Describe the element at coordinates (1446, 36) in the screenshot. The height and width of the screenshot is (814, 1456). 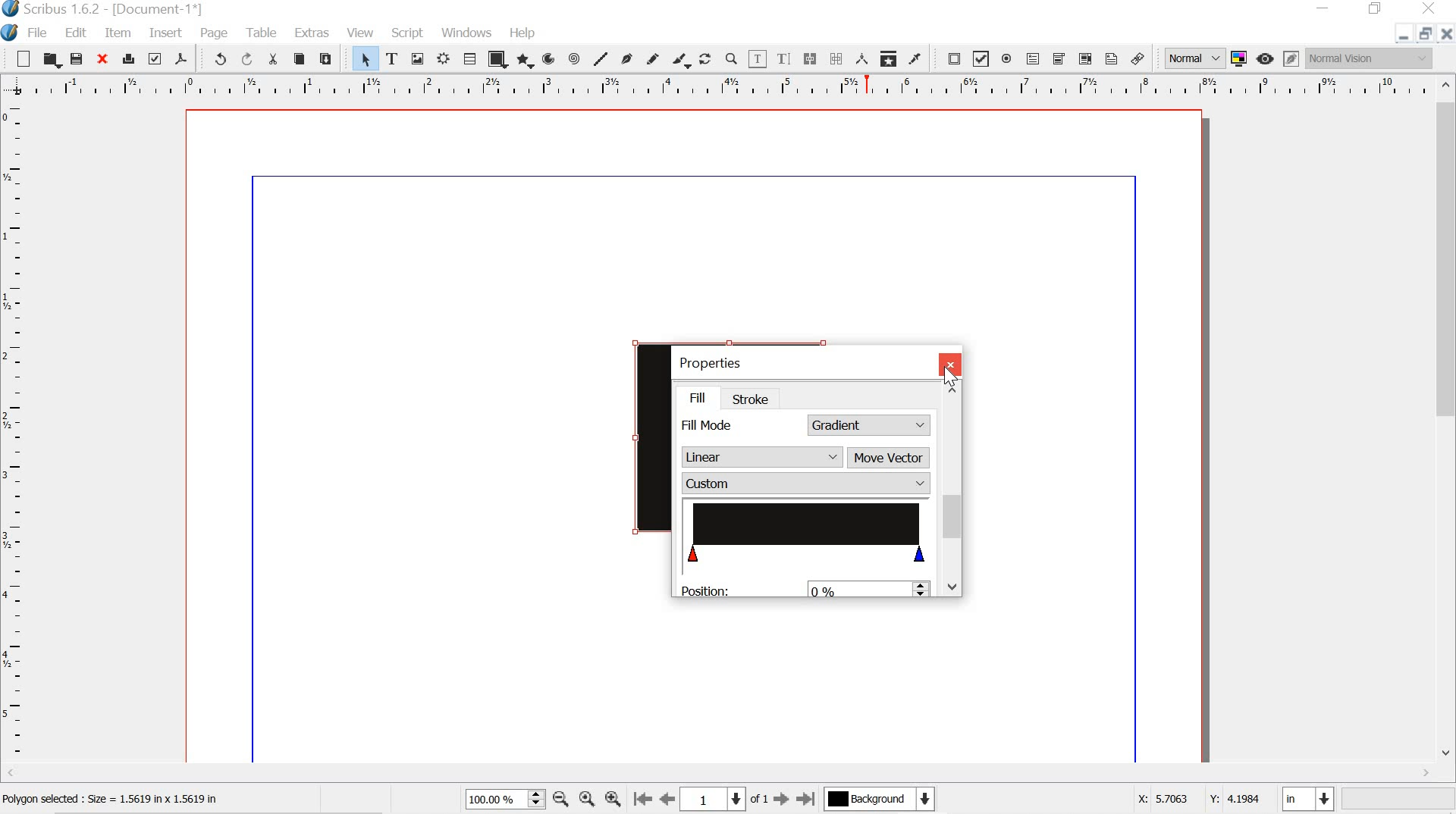
I see `close` at that location.